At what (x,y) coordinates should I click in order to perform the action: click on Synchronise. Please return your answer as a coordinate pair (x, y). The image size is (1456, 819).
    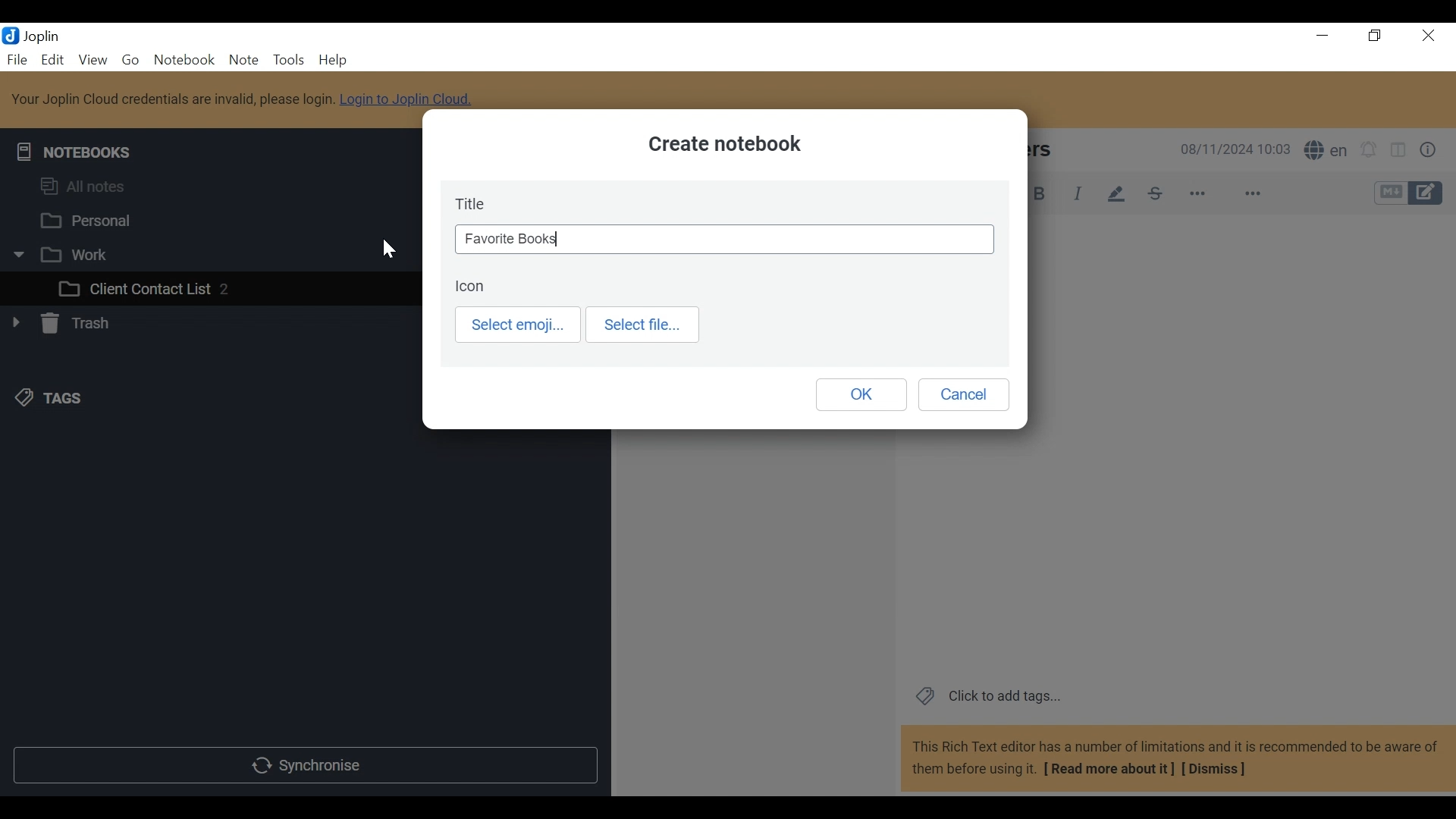
    Looking at the image, I should click on (308, 765).